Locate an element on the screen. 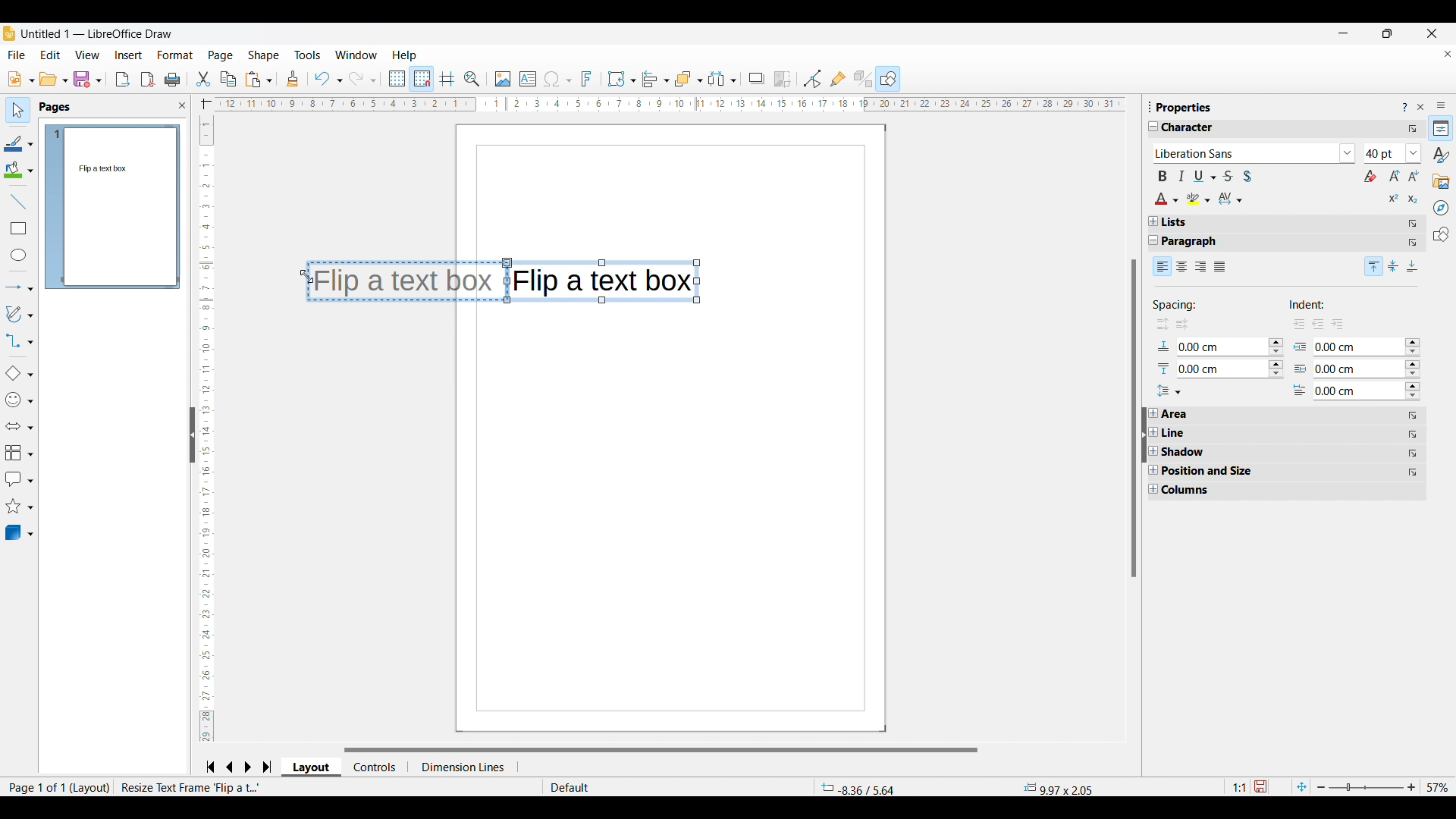 The width and height of the screenshot is (1456, 819). Horizontal ruler is located at coordinates (660, 105).